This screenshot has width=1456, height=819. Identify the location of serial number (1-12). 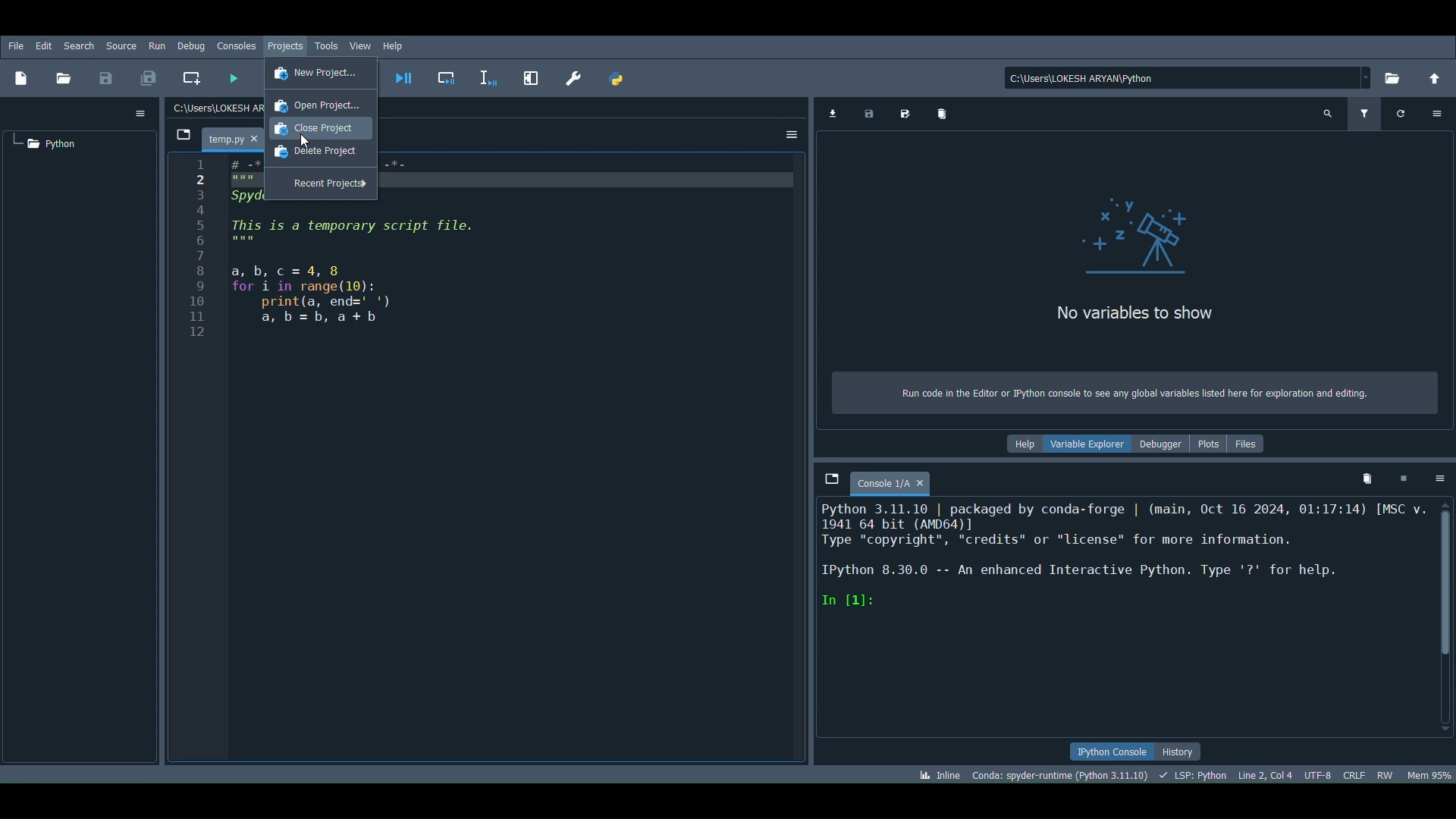
(199, 249).